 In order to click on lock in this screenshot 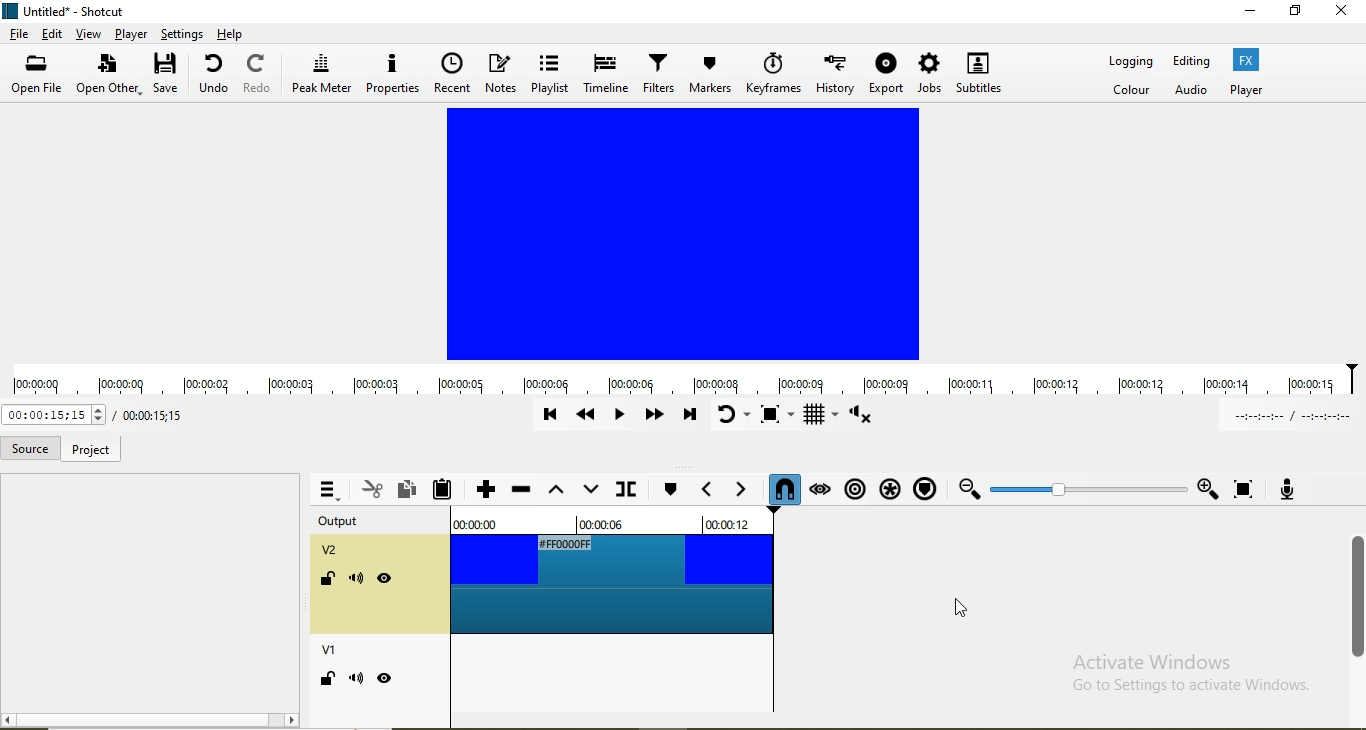, I will do `click(326, 581)`.